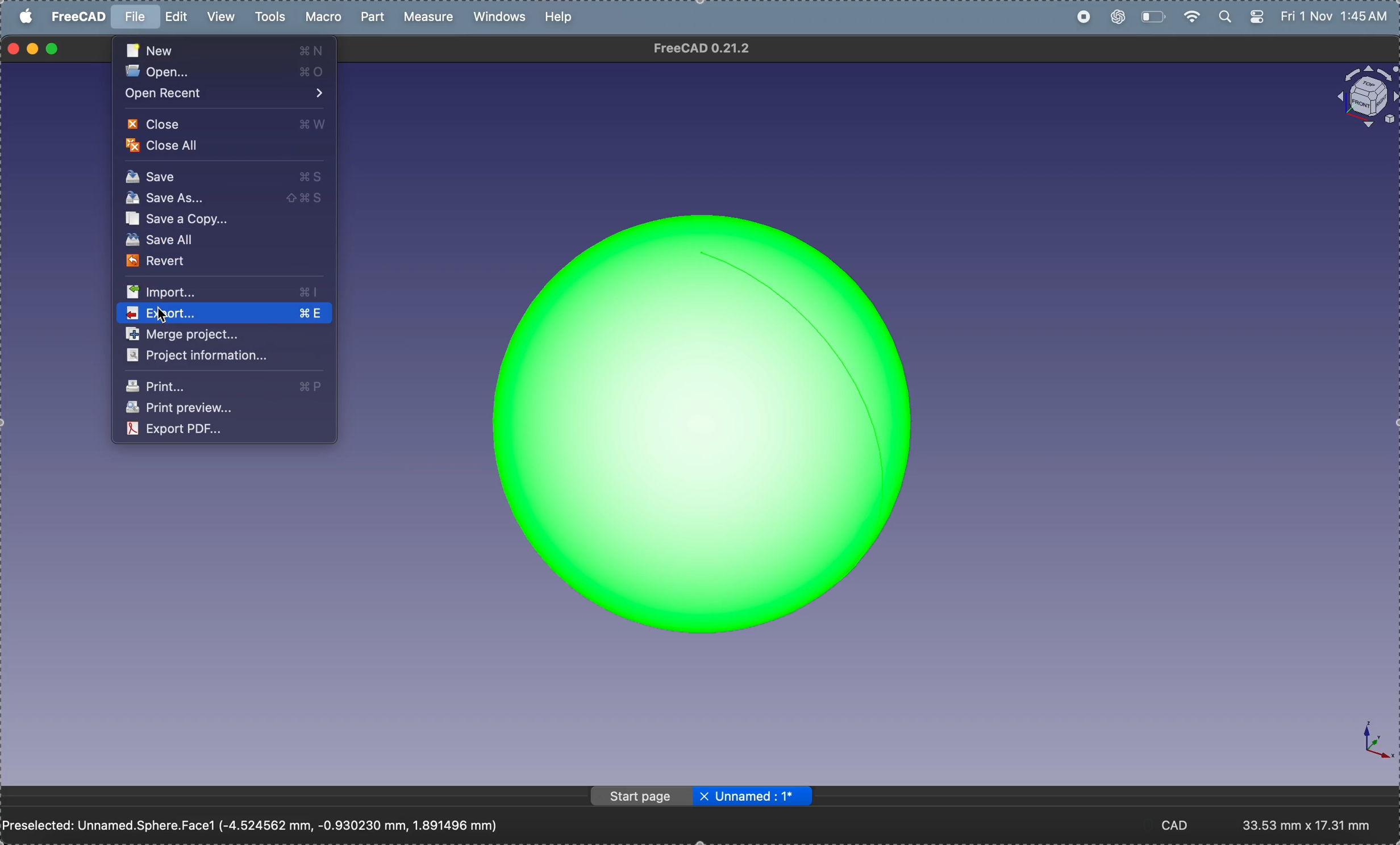  What do you see at coordinates (137, 20) in the screenshot?
I see `file` at bounding box center [137, 20].